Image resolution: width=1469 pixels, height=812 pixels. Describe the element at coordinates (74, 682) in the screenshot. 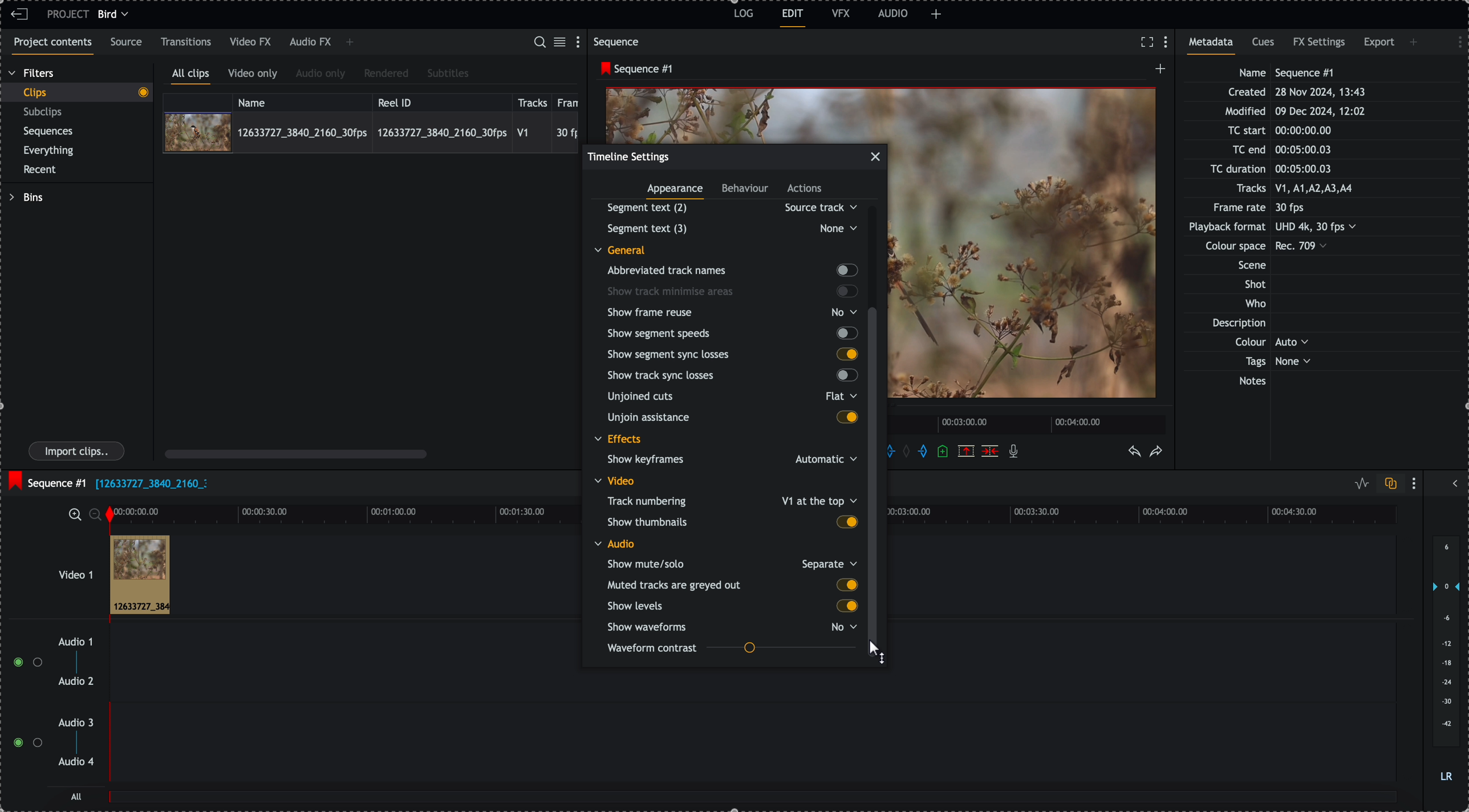

I see `audio 2` at that location.